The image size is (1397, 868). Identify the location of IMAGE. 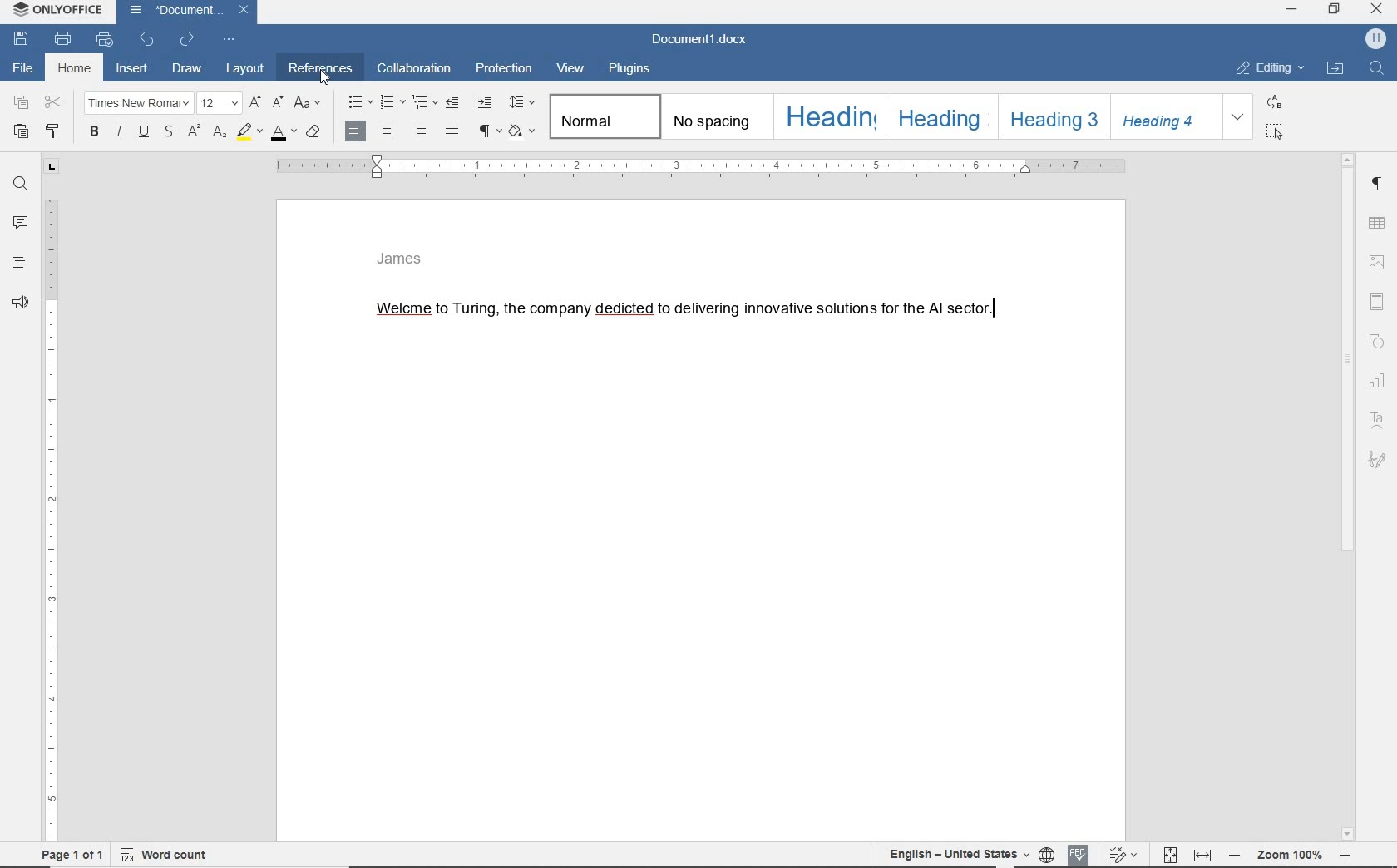
(1380, 262).